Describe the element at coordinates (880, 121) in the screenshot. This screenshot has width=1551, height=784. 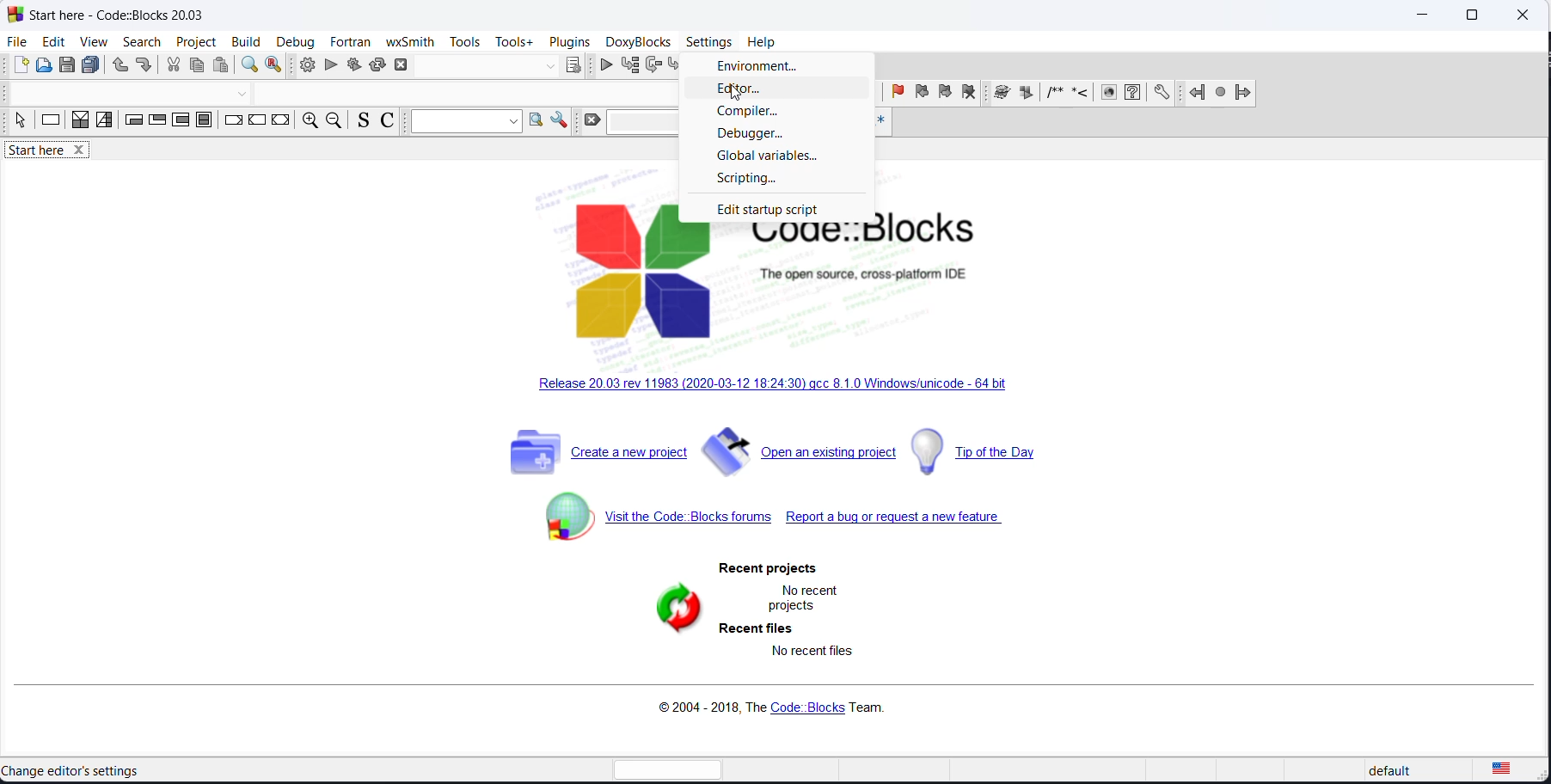
I see `regex` at that location.